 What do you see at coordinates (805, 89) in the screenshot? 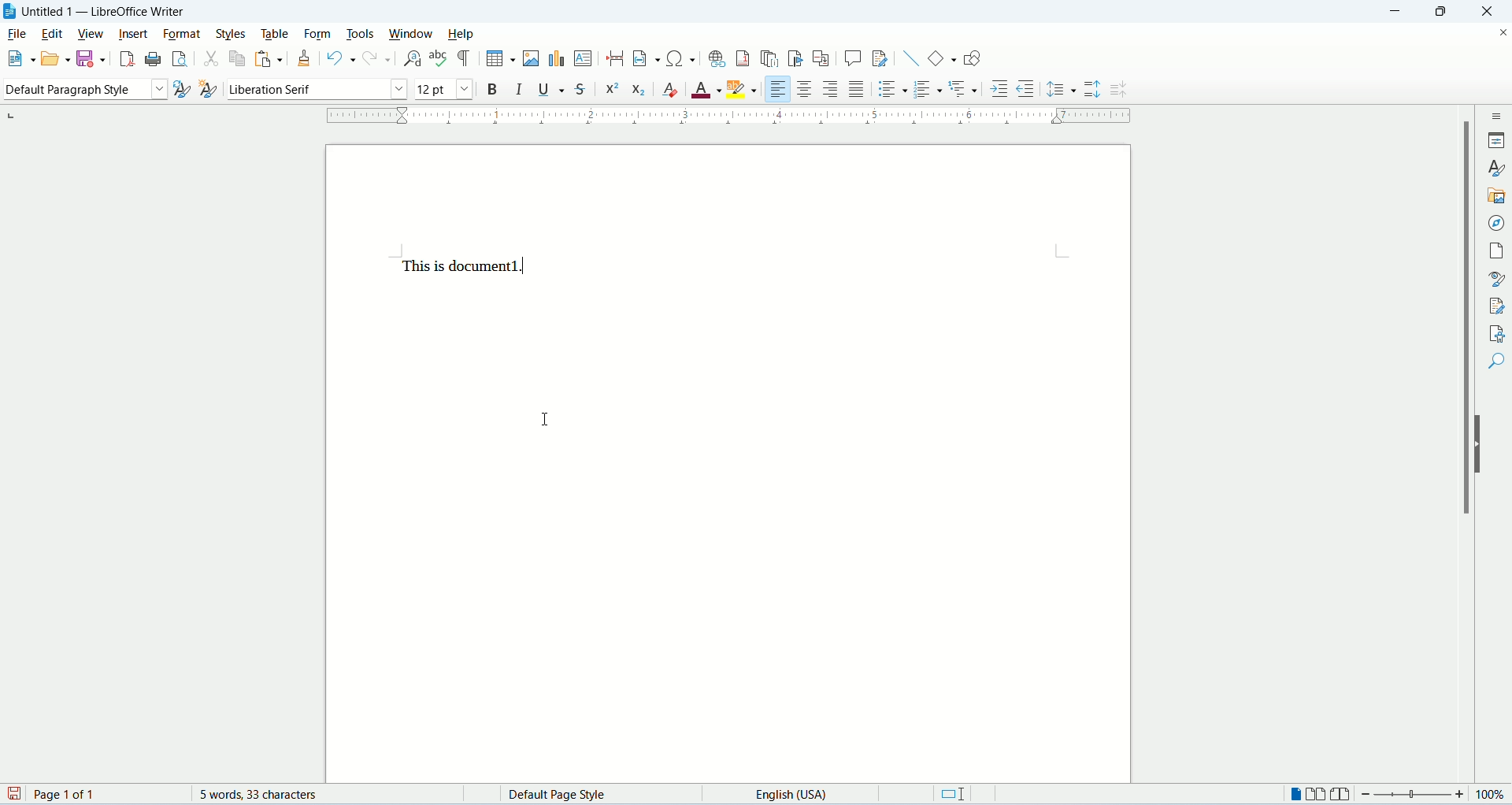
I see `align center` at bounding box center [805, 89].